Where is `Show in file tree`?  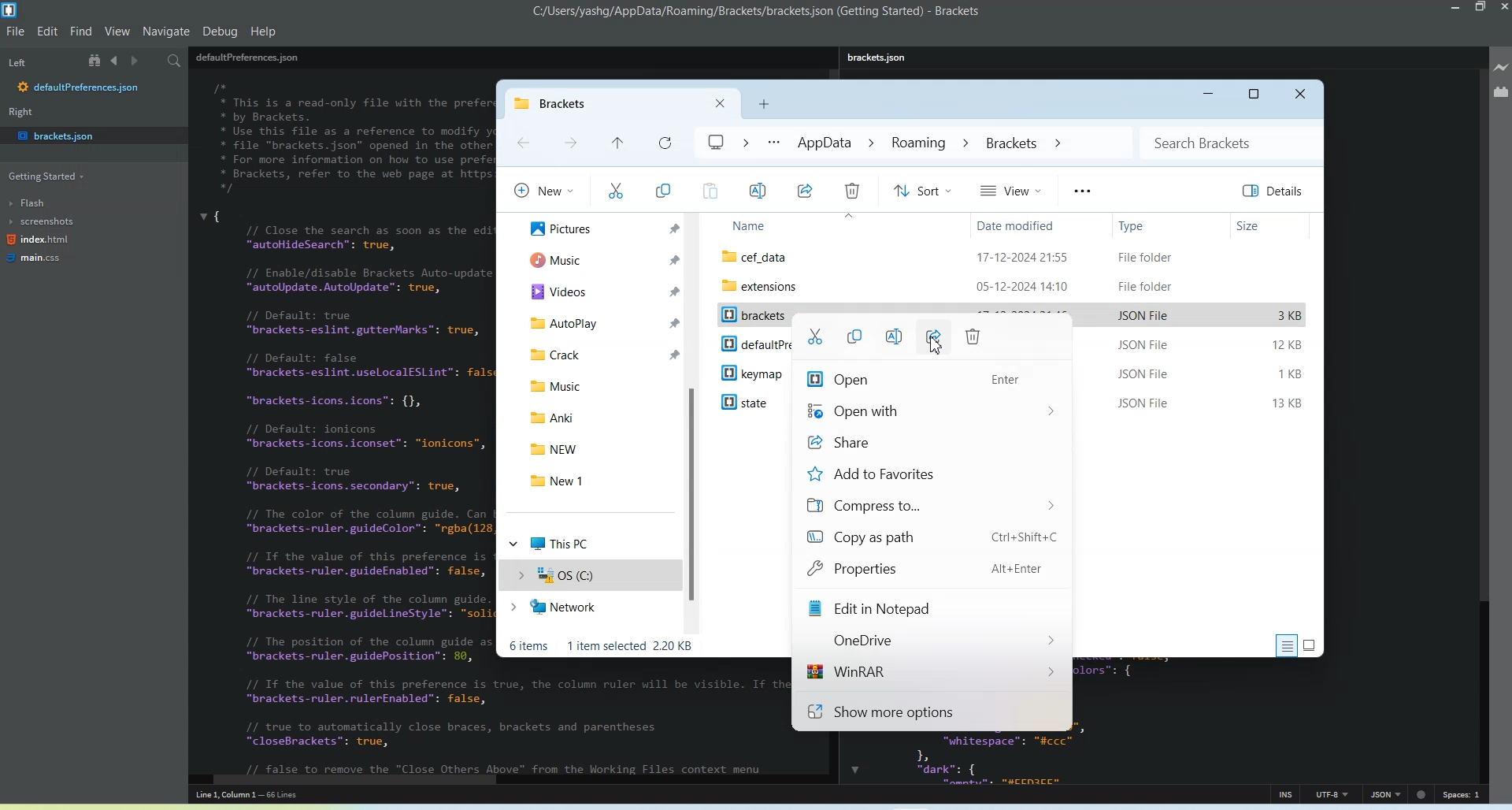
Show in file tree is located at coordinates (97, 61).